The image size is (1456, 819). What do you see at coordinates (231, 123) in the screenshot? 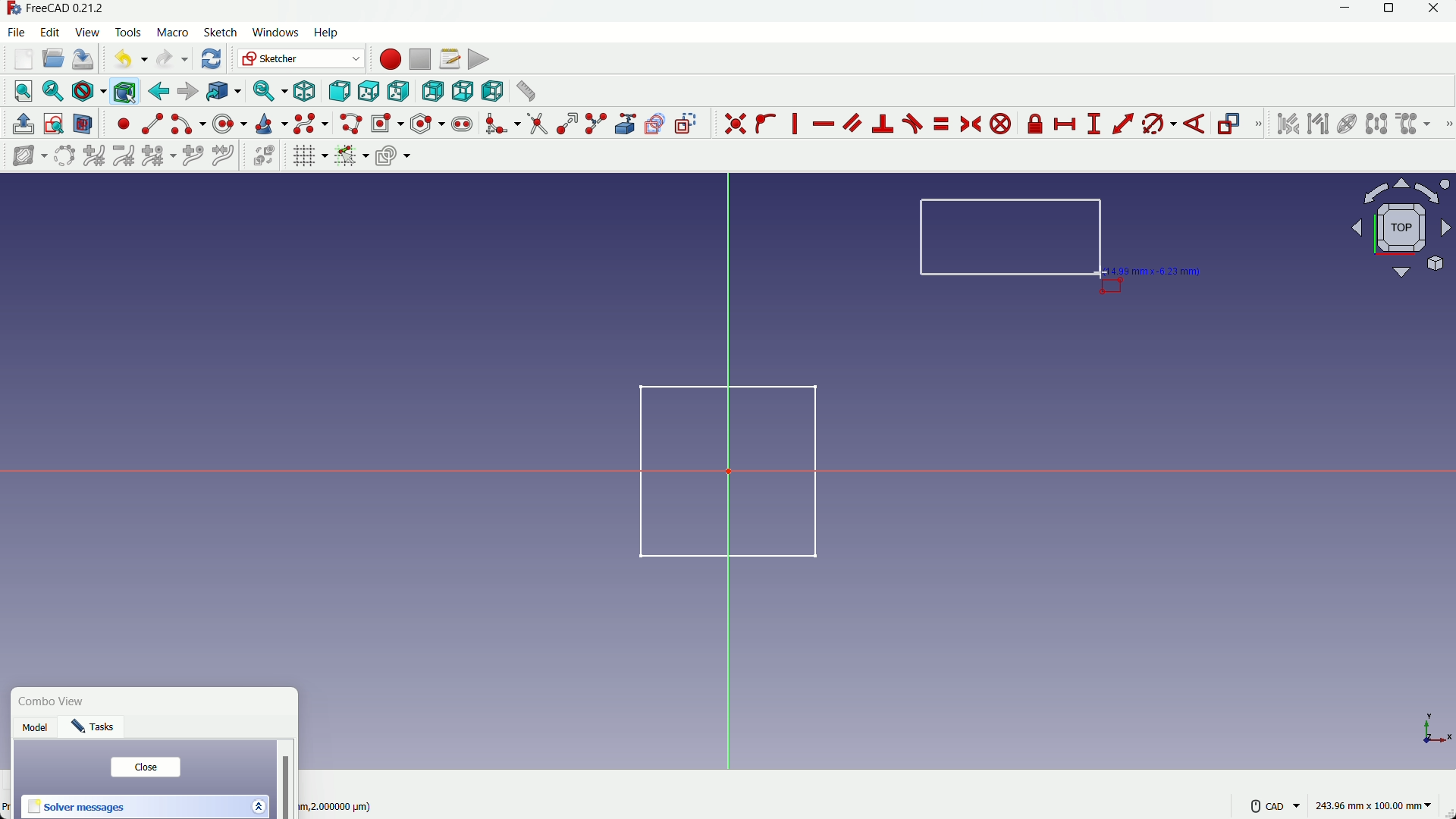
I see `create circle` at bounding box center [231, 123].